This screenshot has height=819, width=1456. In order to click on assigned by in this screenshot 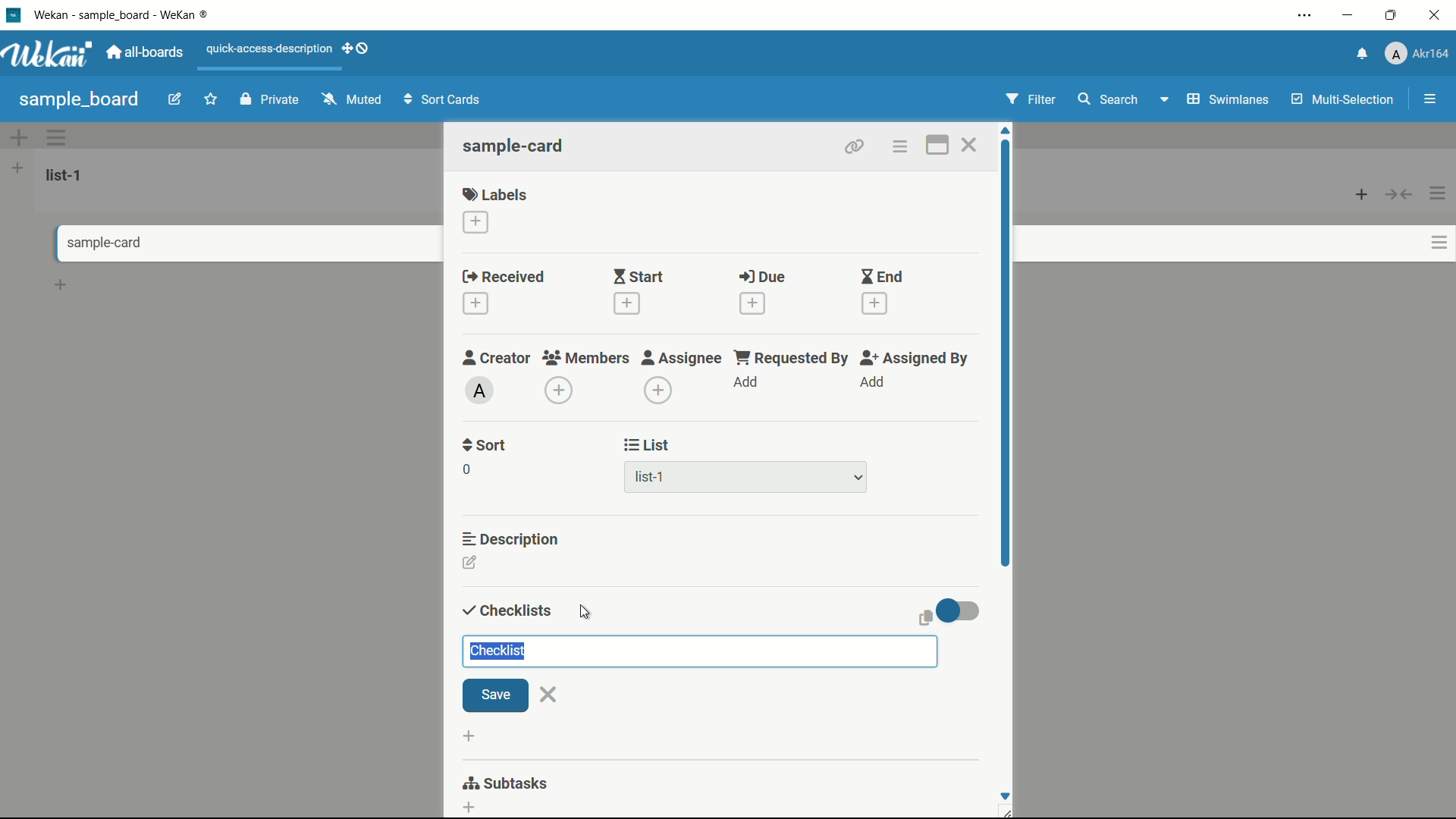, I will do `click(916, 358)`.